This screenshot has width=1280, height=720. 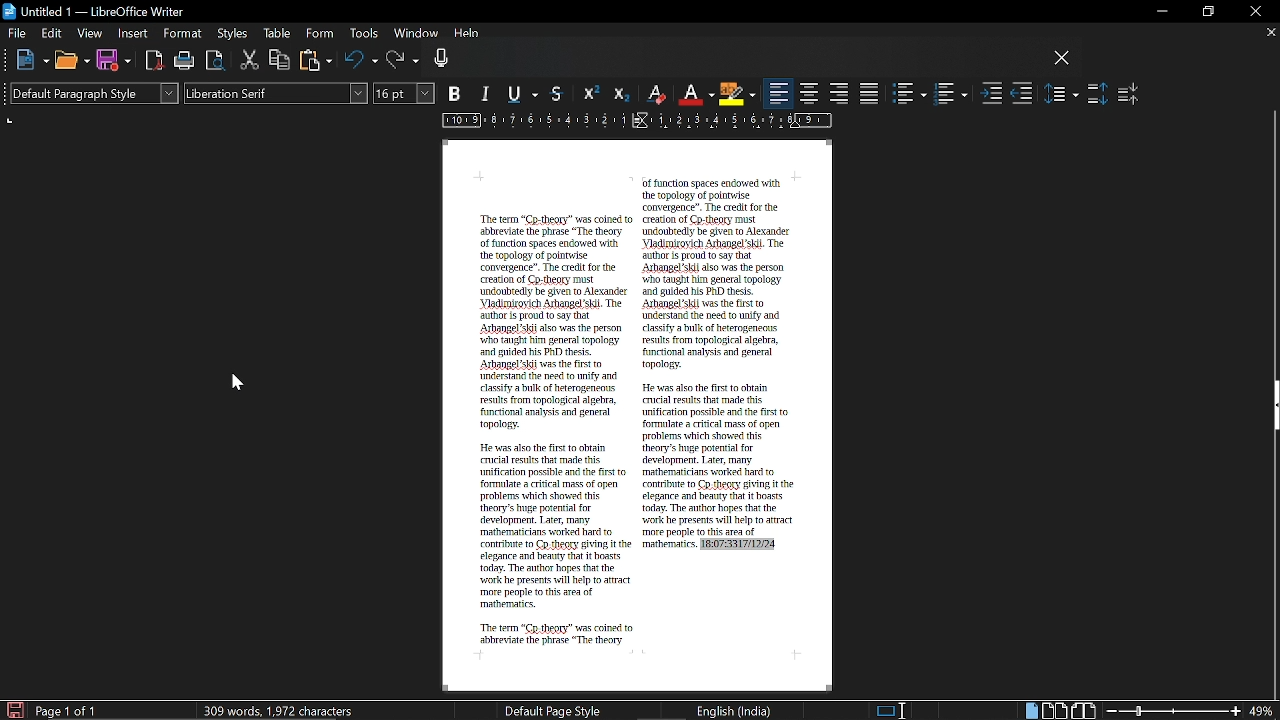 I want to click on 18:07:33 17/12/24, so click(x=738, y=546).